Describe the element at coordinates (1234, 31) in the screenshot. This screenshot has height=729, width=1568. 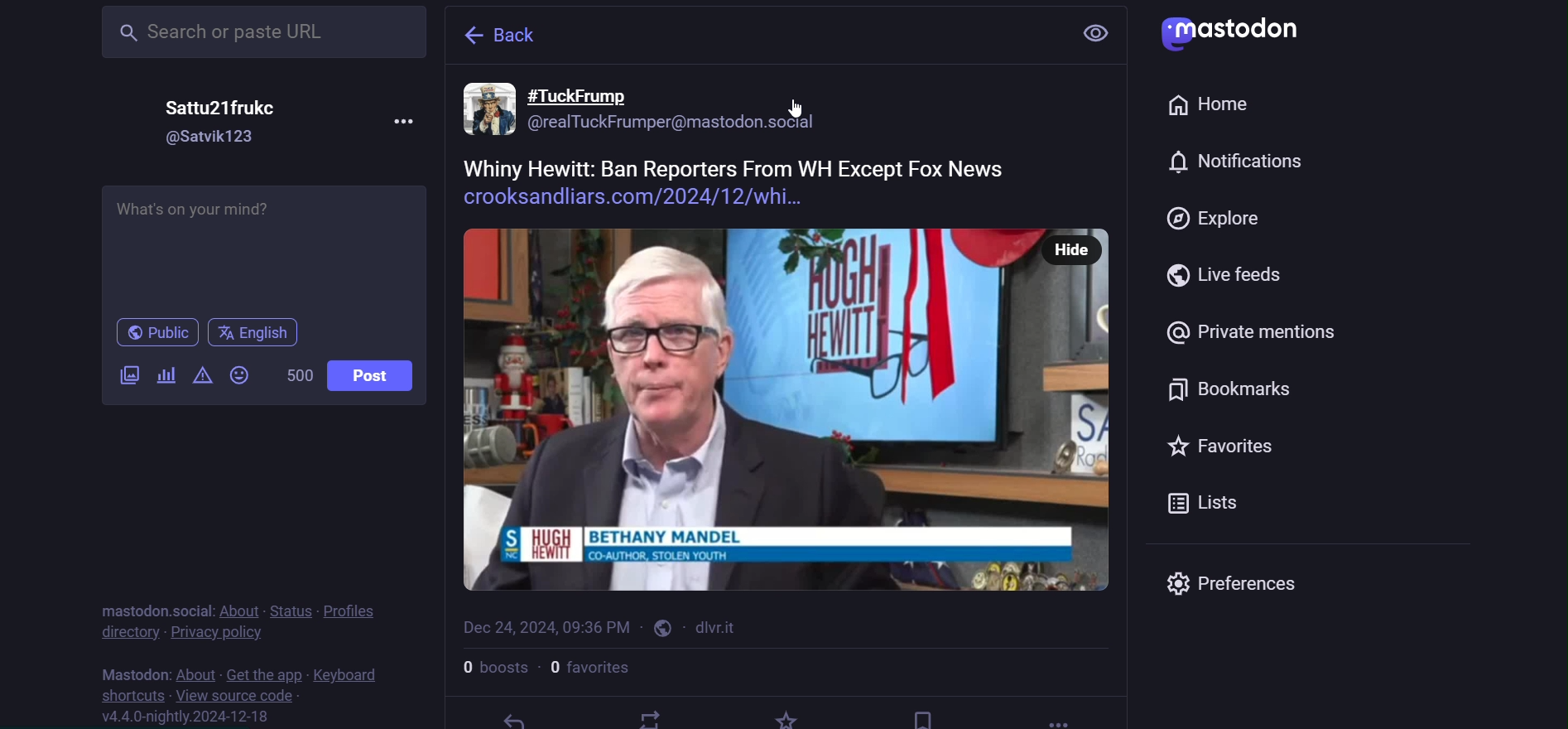
I see `logo` at that location.